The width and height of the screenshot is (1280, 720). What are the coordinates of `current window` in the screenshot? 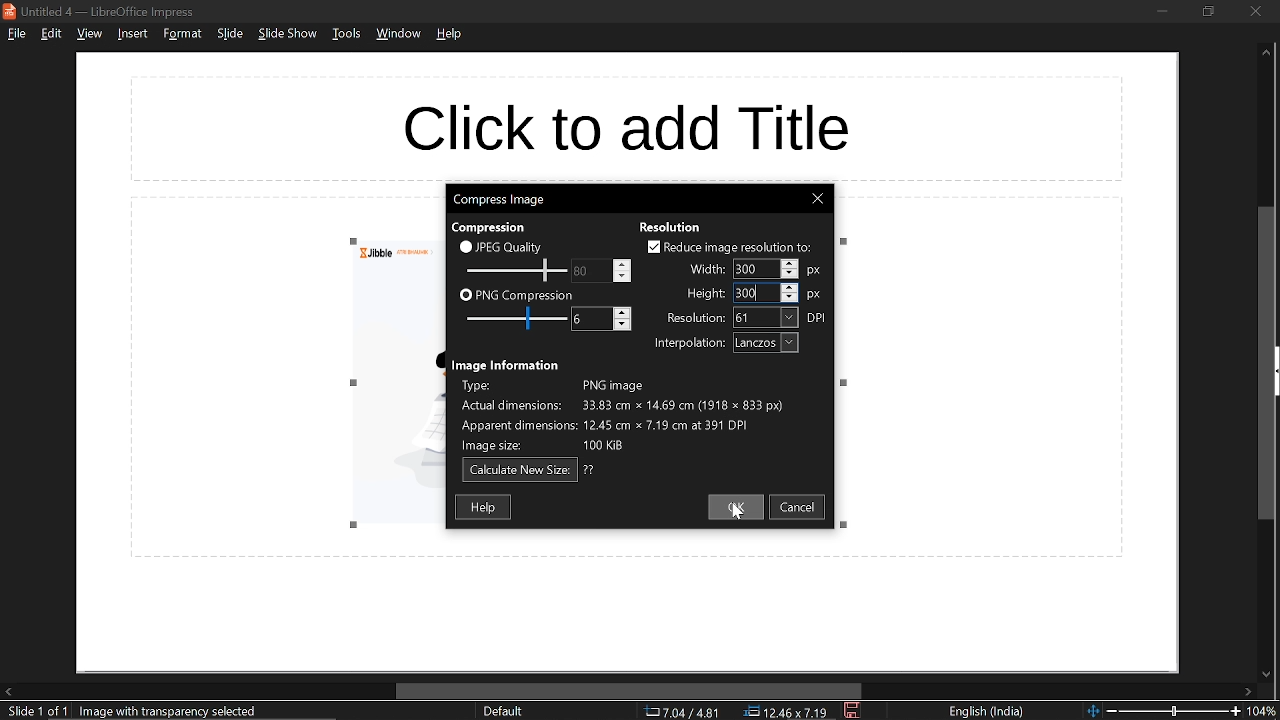 It's located at (102, 10).